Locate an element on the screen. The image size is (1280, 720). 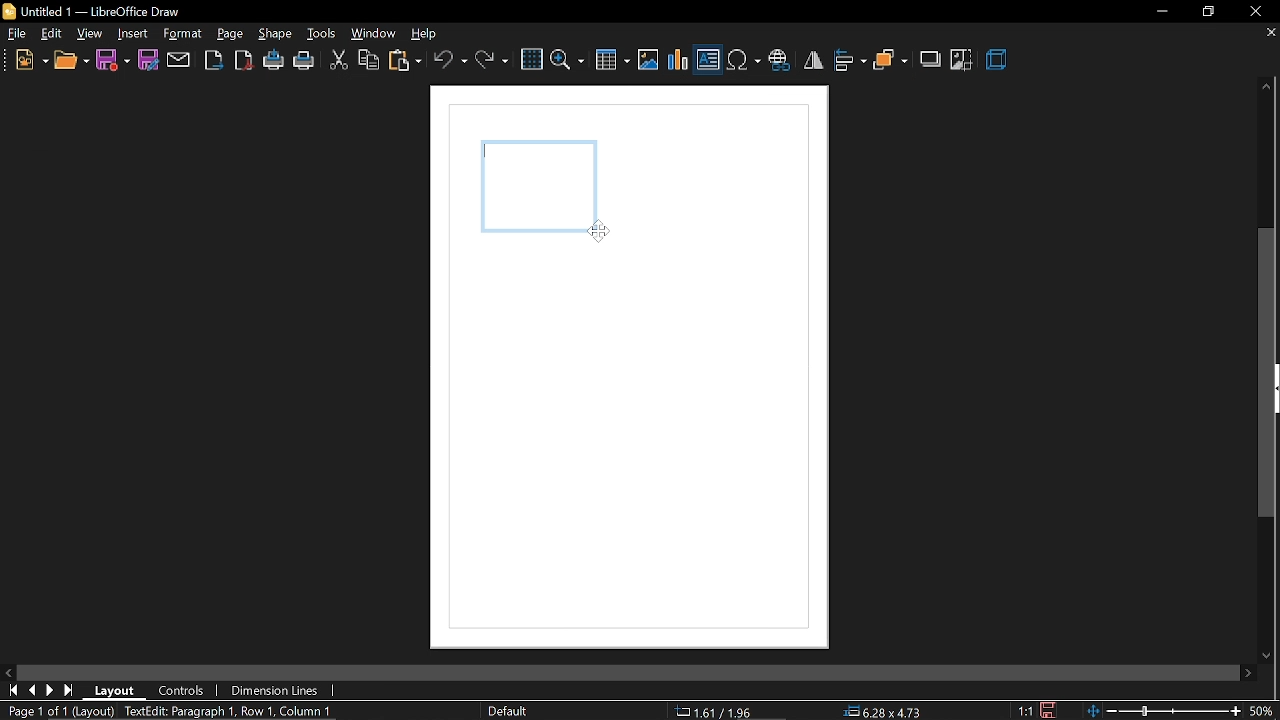
insert image is located at coordinates (648, 61).